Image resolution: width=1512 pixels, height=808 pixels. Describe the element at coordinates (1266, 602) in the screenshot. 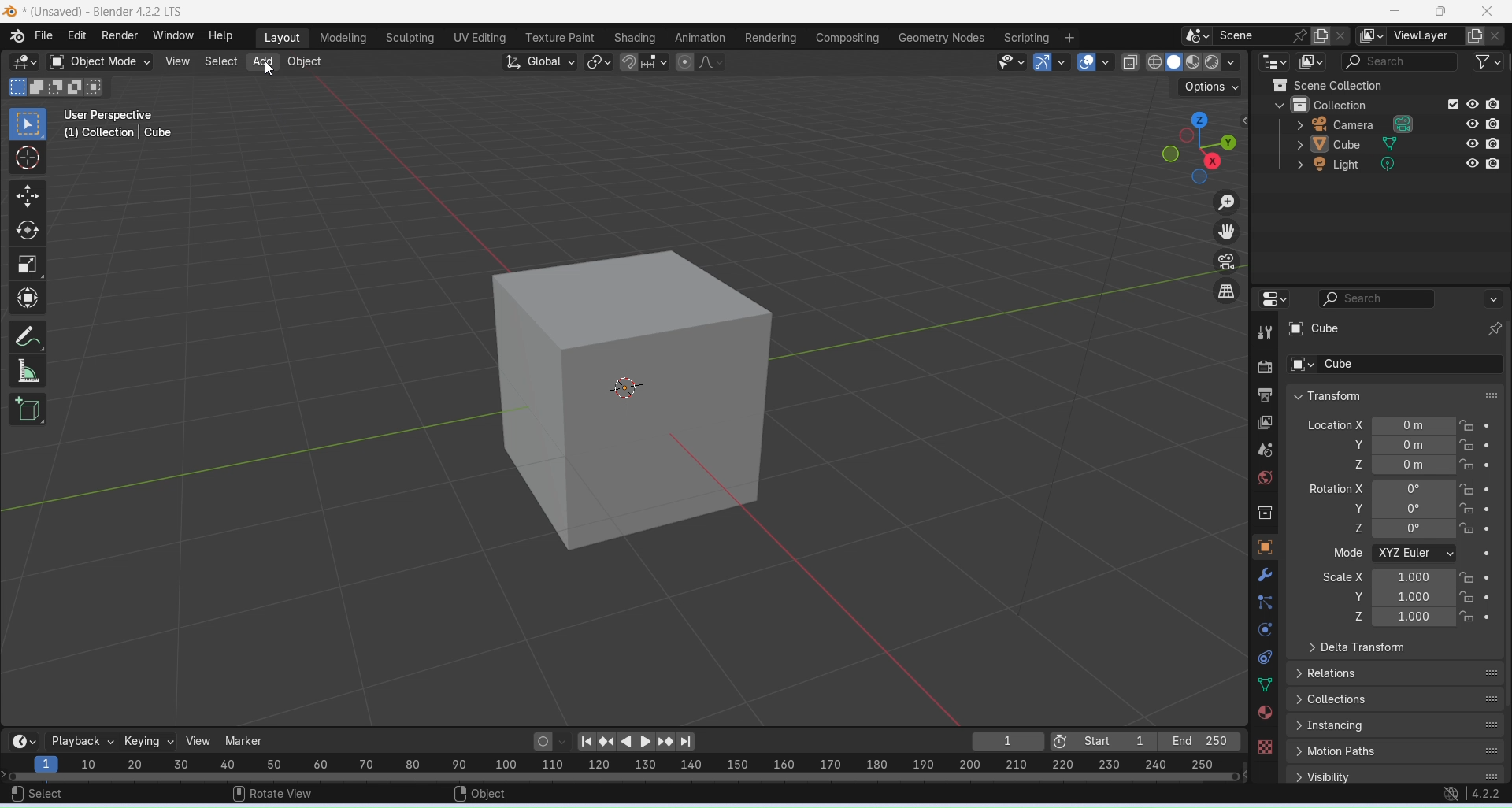

I see `Particles` at that location.